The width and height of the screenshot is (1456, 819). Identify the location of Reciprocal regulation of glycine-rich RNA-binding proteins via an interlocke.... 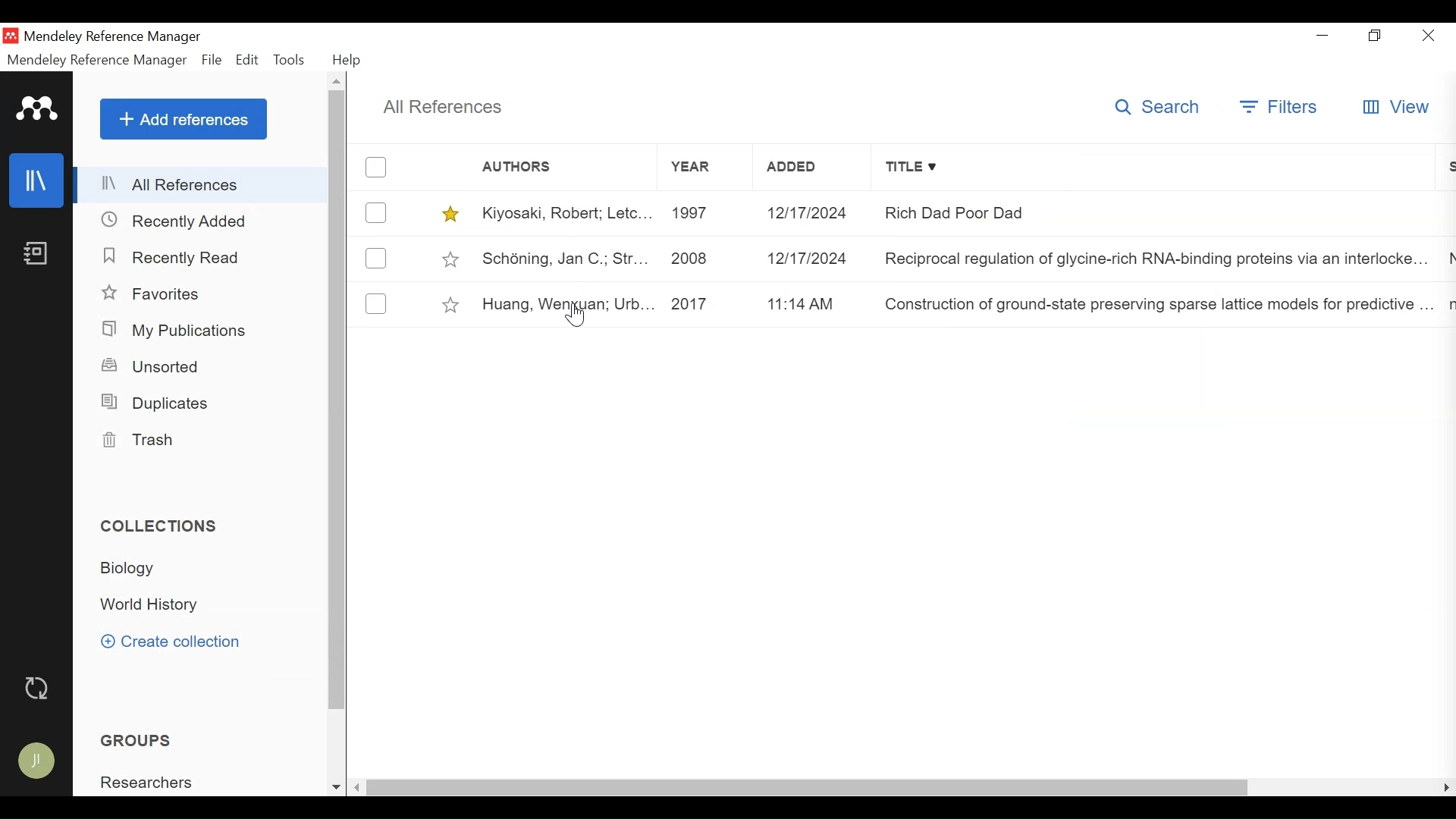
(1156, 258).